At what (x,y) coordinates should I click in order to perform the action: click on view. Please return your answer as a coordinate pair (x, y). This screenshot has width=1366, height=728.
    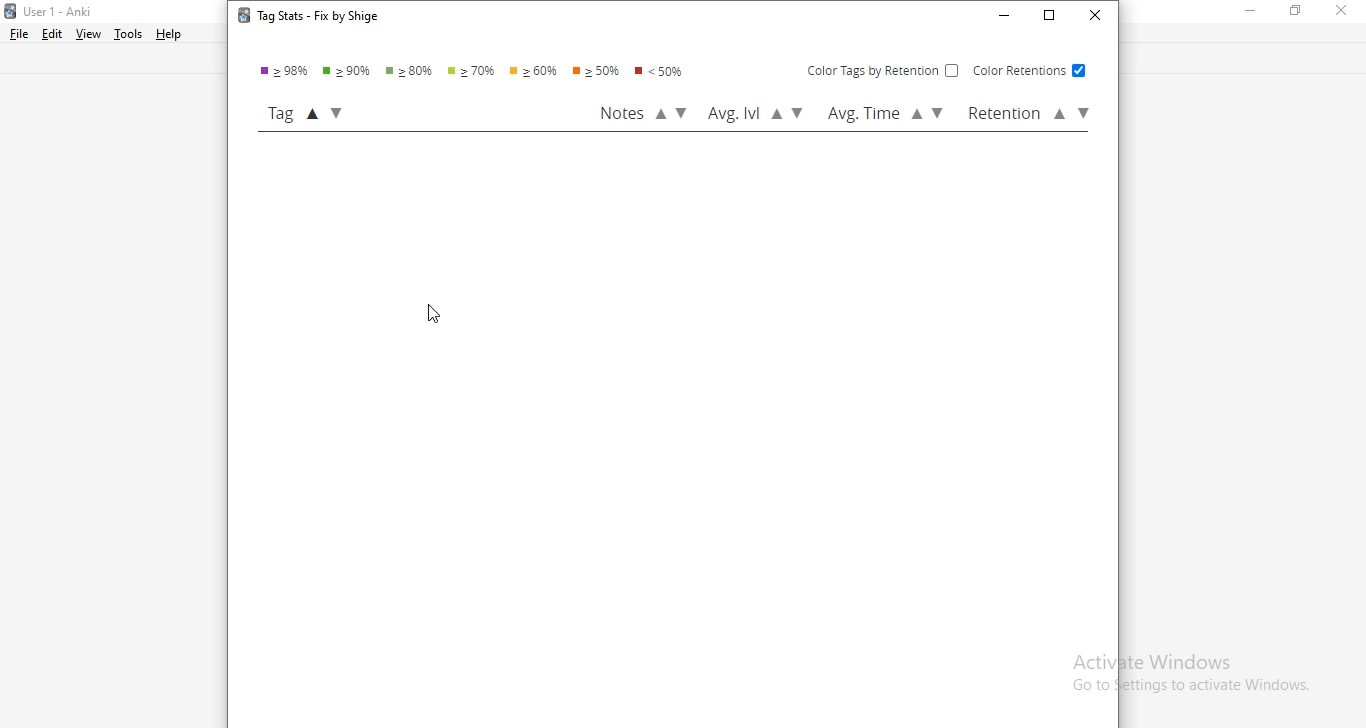
    Looking at the image, I should click on (89, 35).